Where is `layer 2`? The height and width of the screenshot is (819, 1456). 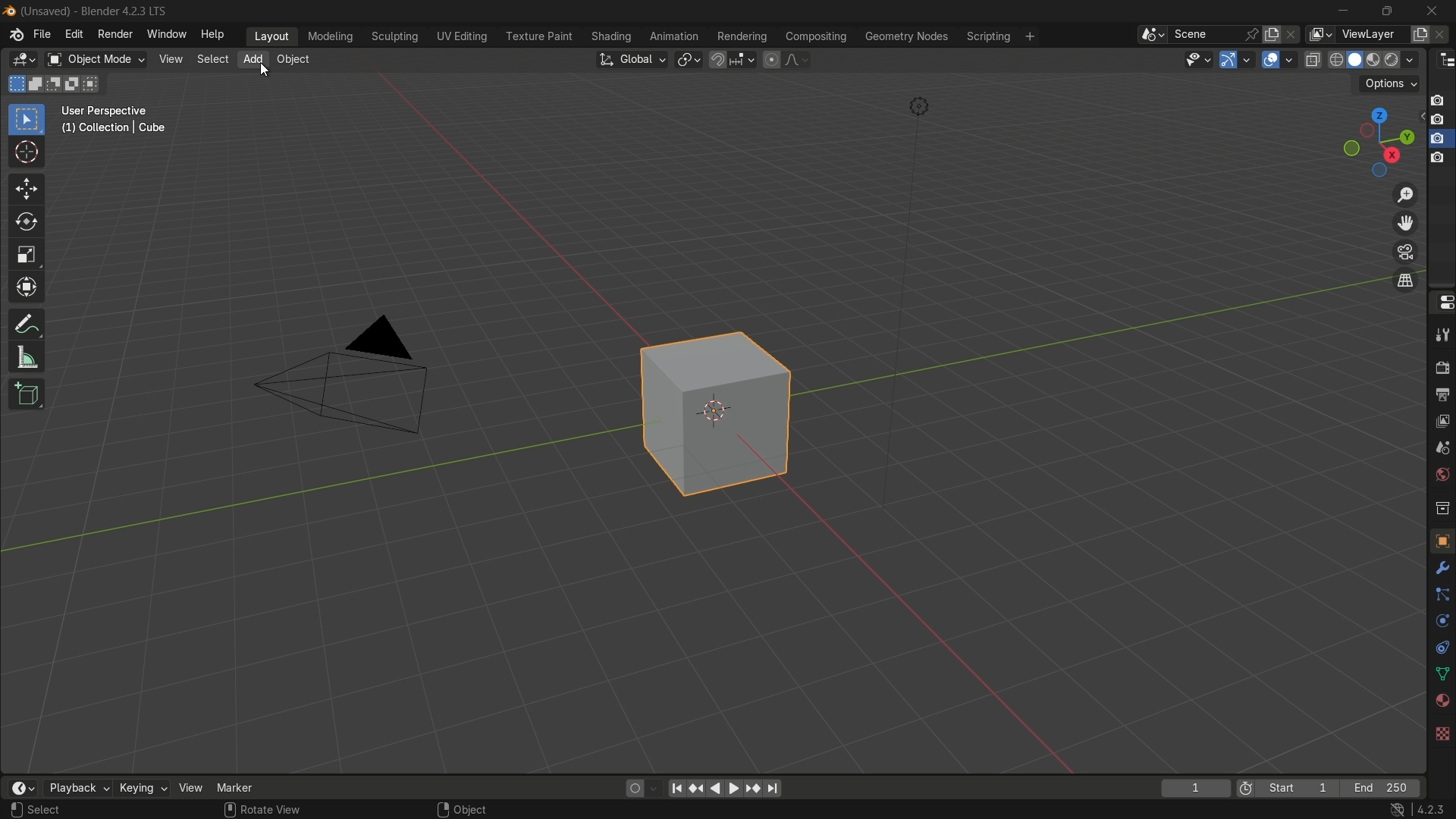 layer 2 is located at coordinates (1436, 119).